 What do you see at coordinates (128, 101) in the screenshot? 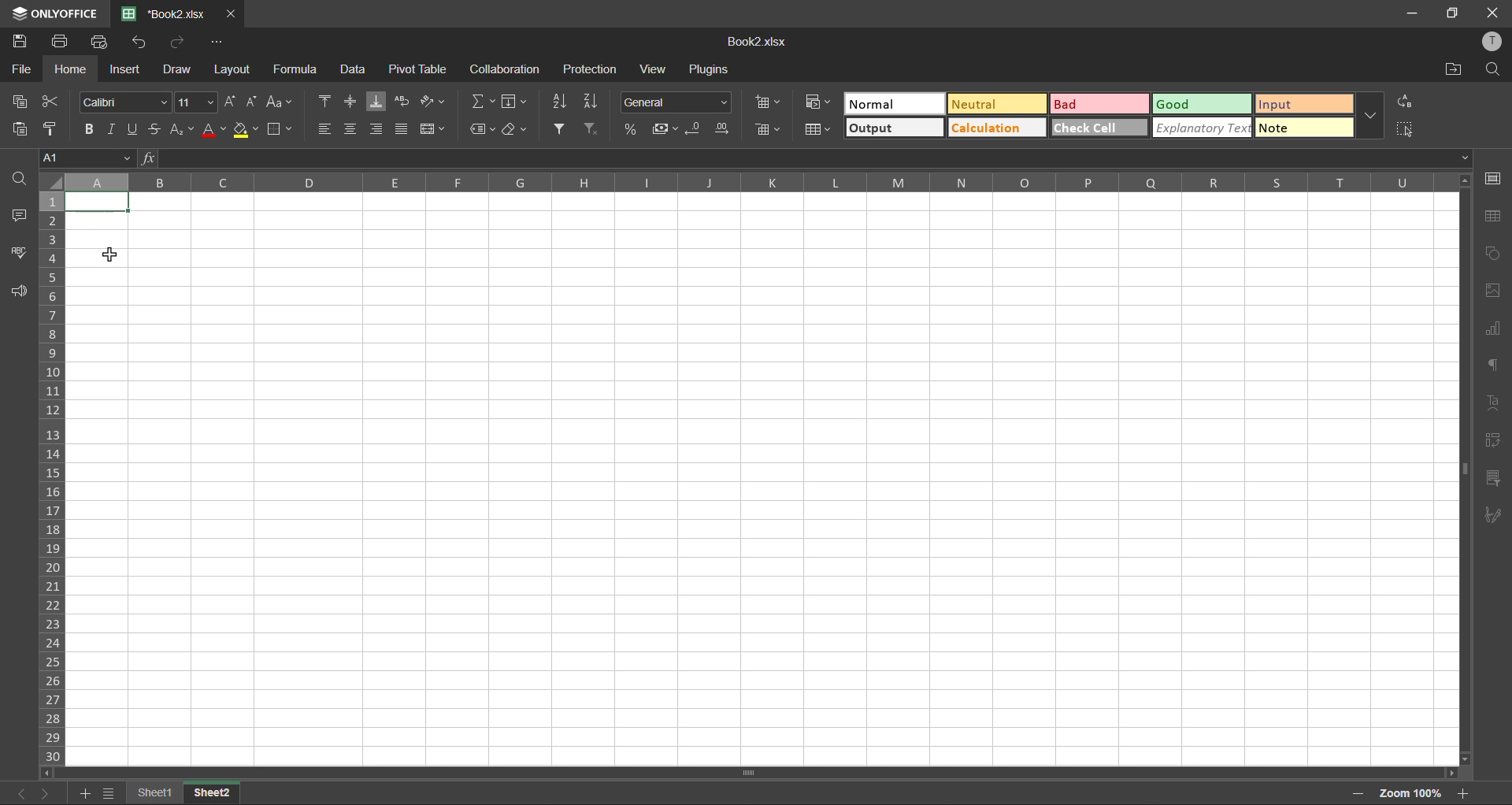
I see `font style` at bounding box center [128, 101].